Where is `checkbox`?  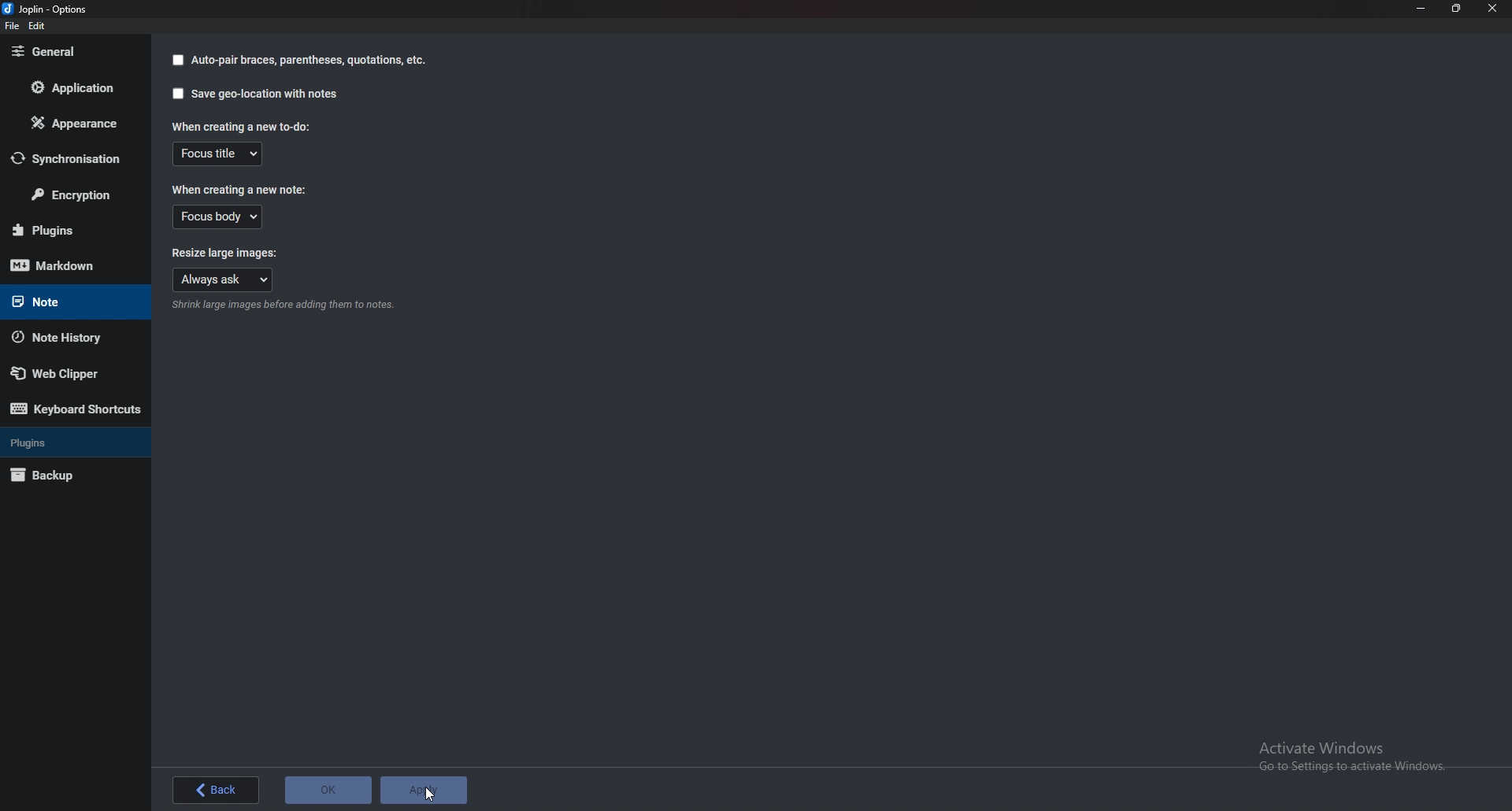
checkbox is located at coordinates (175, 60).